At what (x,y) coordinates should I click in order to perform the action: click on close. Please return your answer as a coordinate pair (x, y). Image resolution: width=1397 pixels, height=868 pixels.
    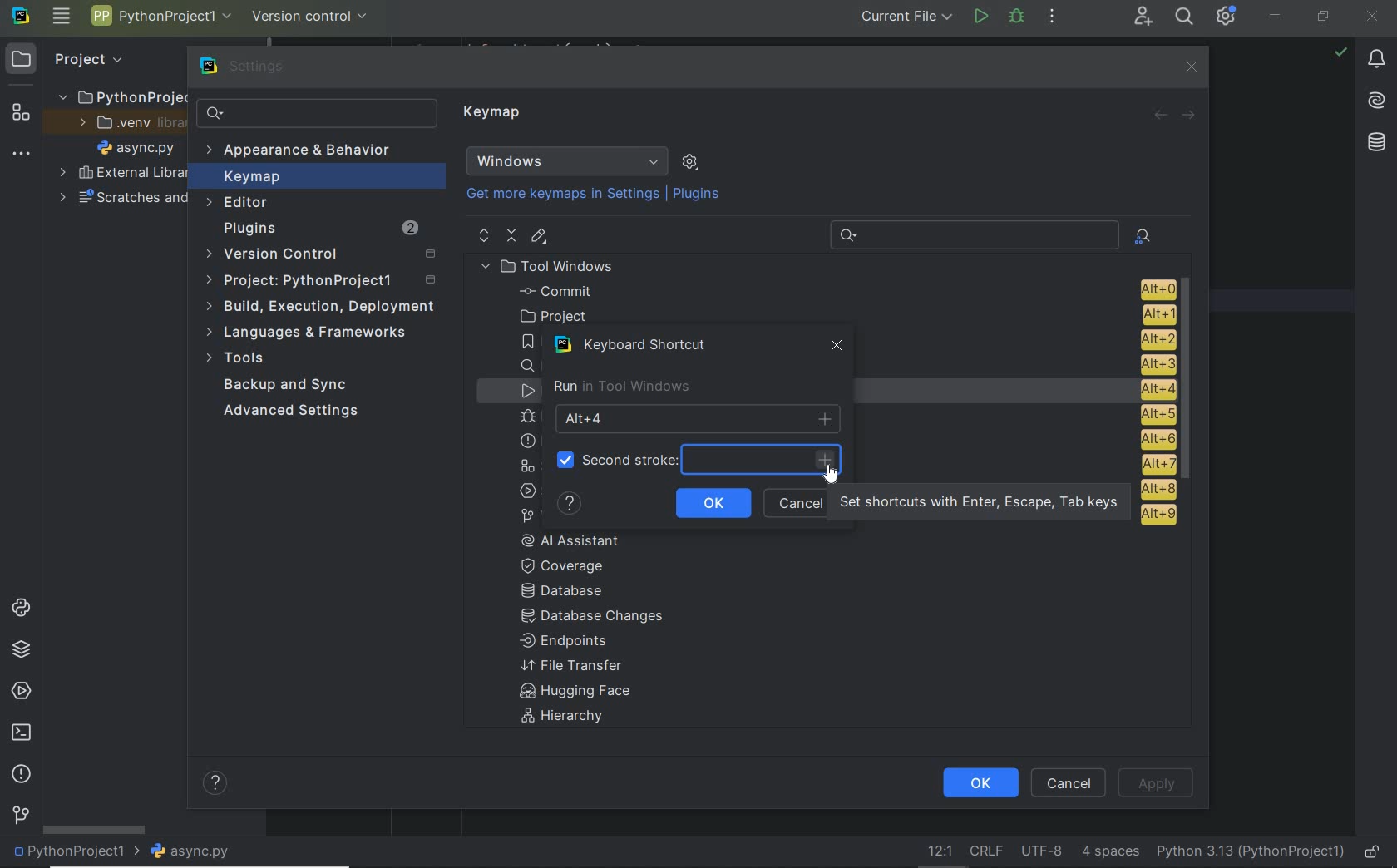
    Looking at the image, I should click on (1374, 15).